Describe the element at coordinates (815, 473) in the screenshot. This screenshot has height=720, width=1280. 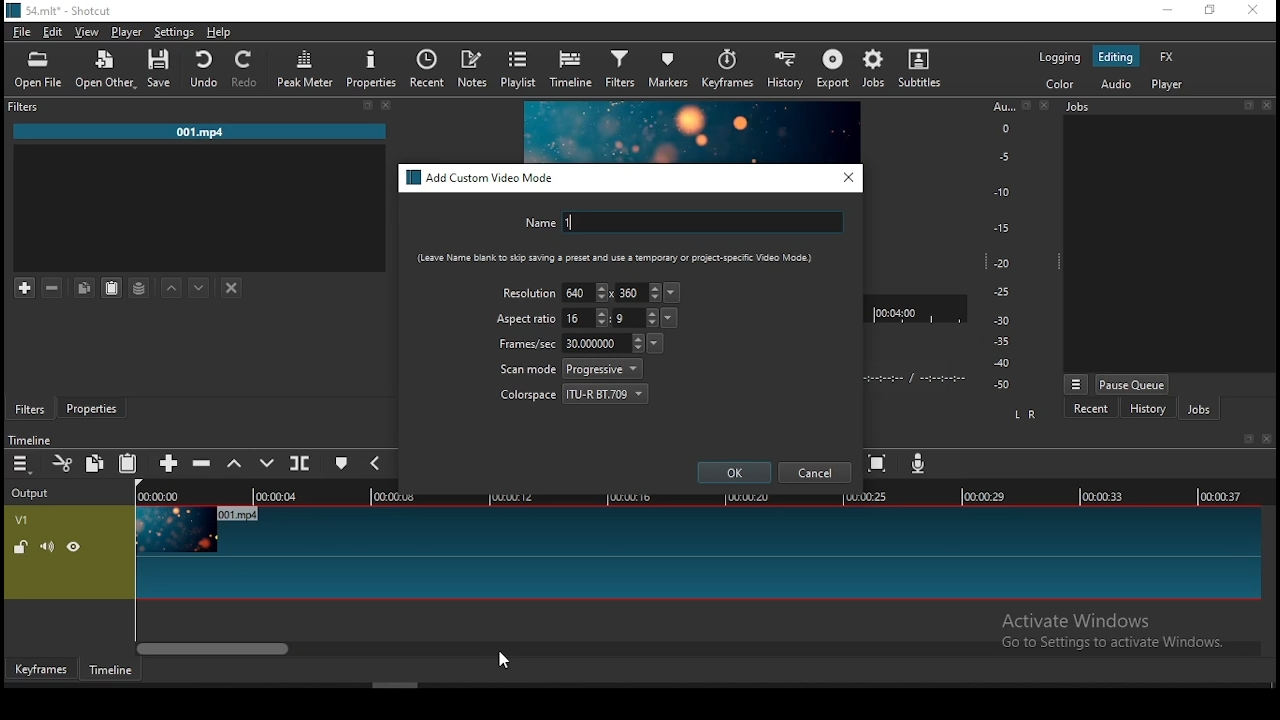
I see `cancel` at that location.